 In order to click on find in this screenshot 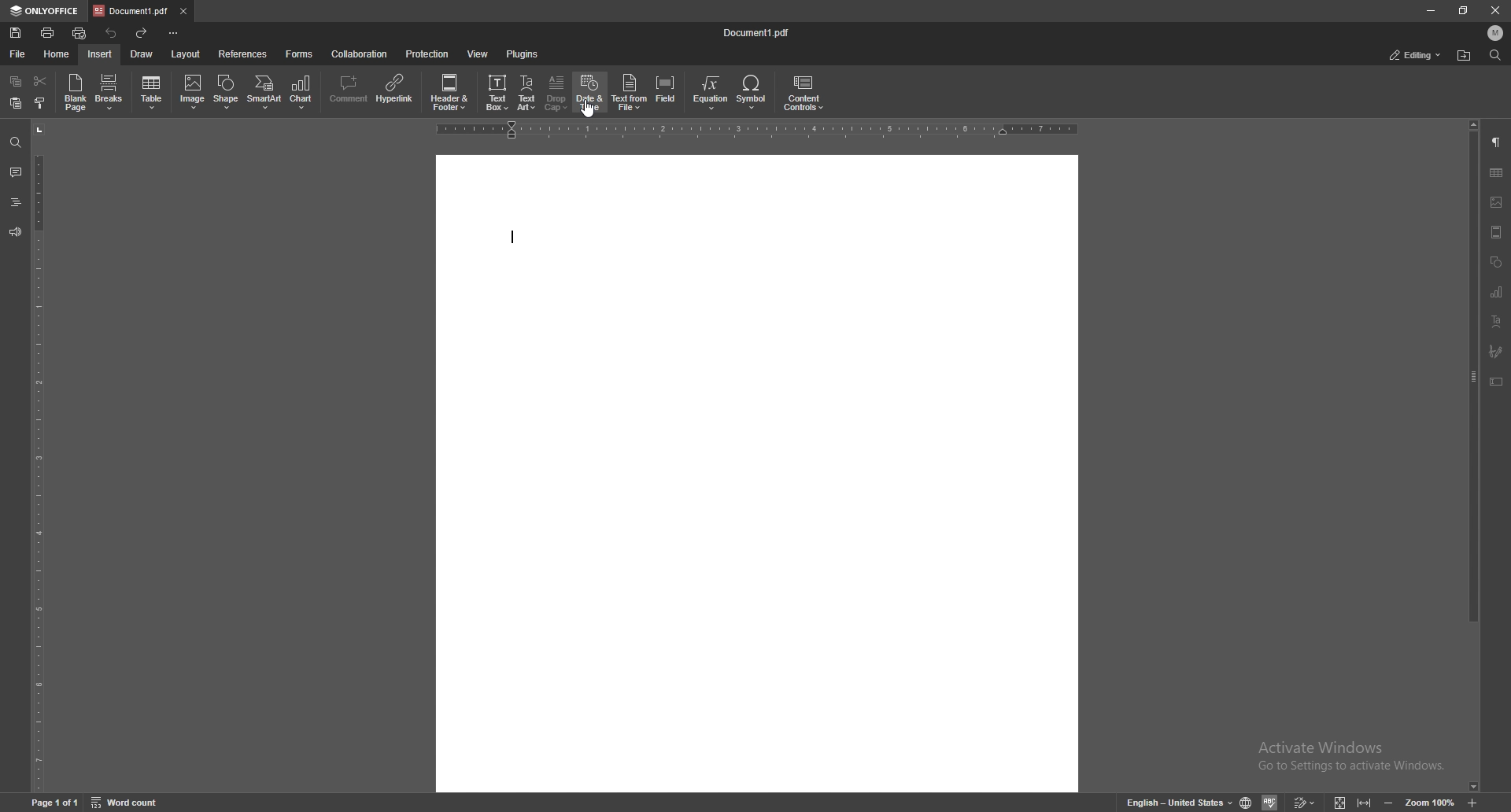, I will do `click(17, 143)`.